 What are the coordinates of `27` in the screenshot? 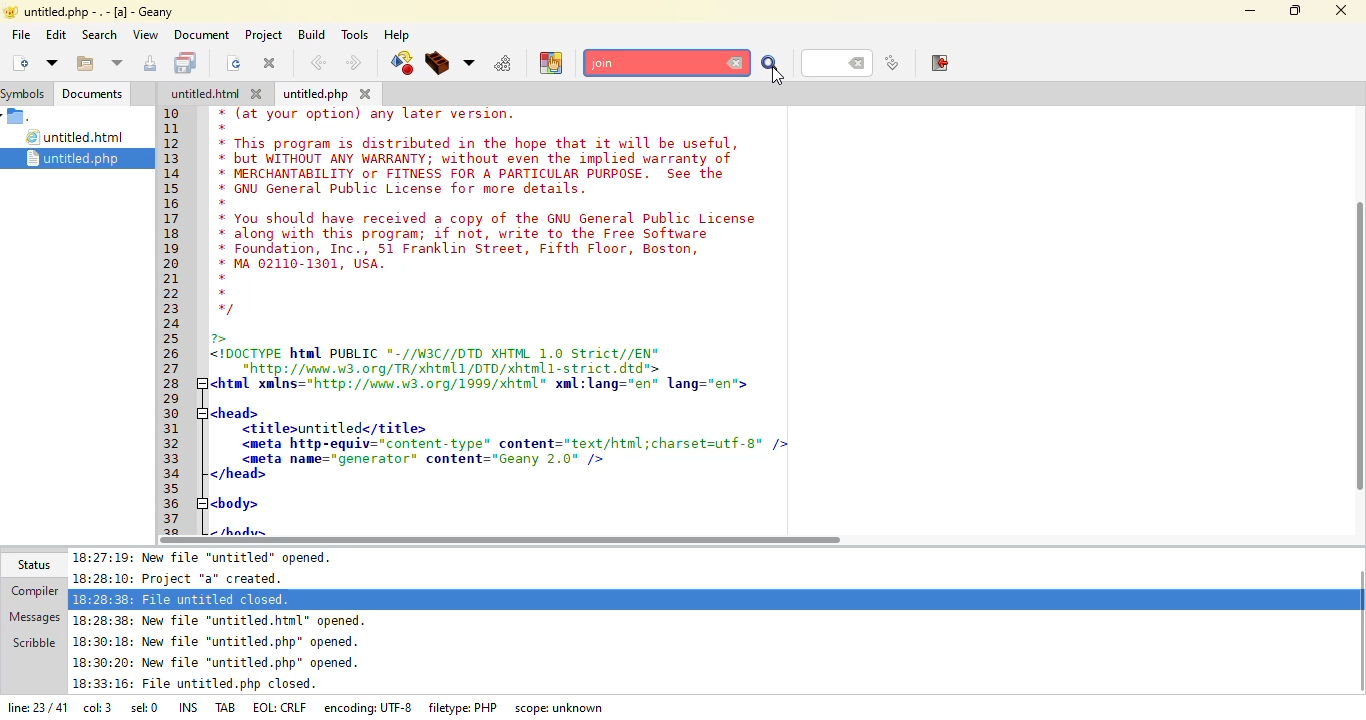 It's located at (174, 368).